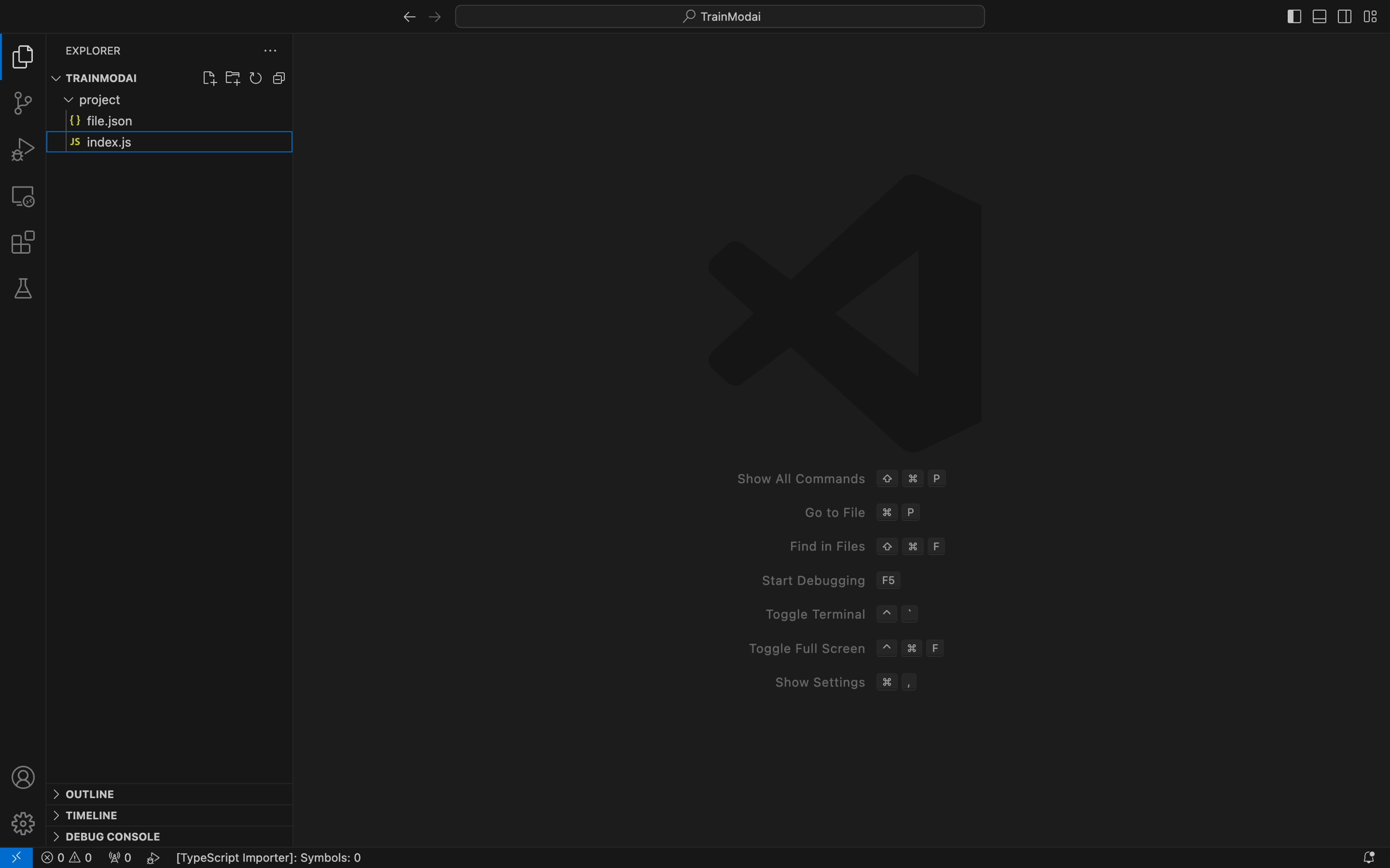  What do you see at coordinates (154, 859) in the screenshot?
I see `play` at bounding box center [154, 859].